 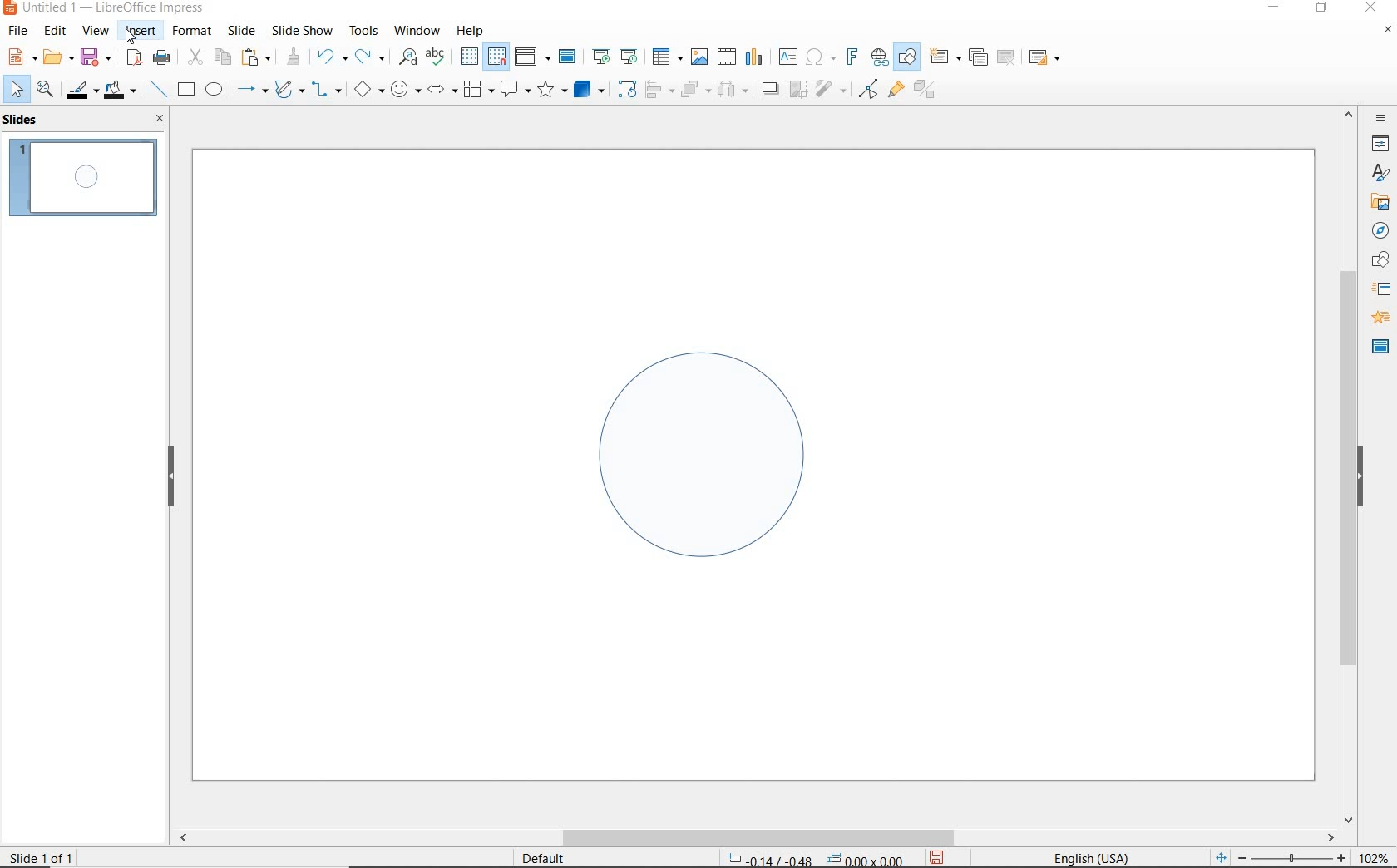 I want to click on navigator, so click(x=1379, y=229).